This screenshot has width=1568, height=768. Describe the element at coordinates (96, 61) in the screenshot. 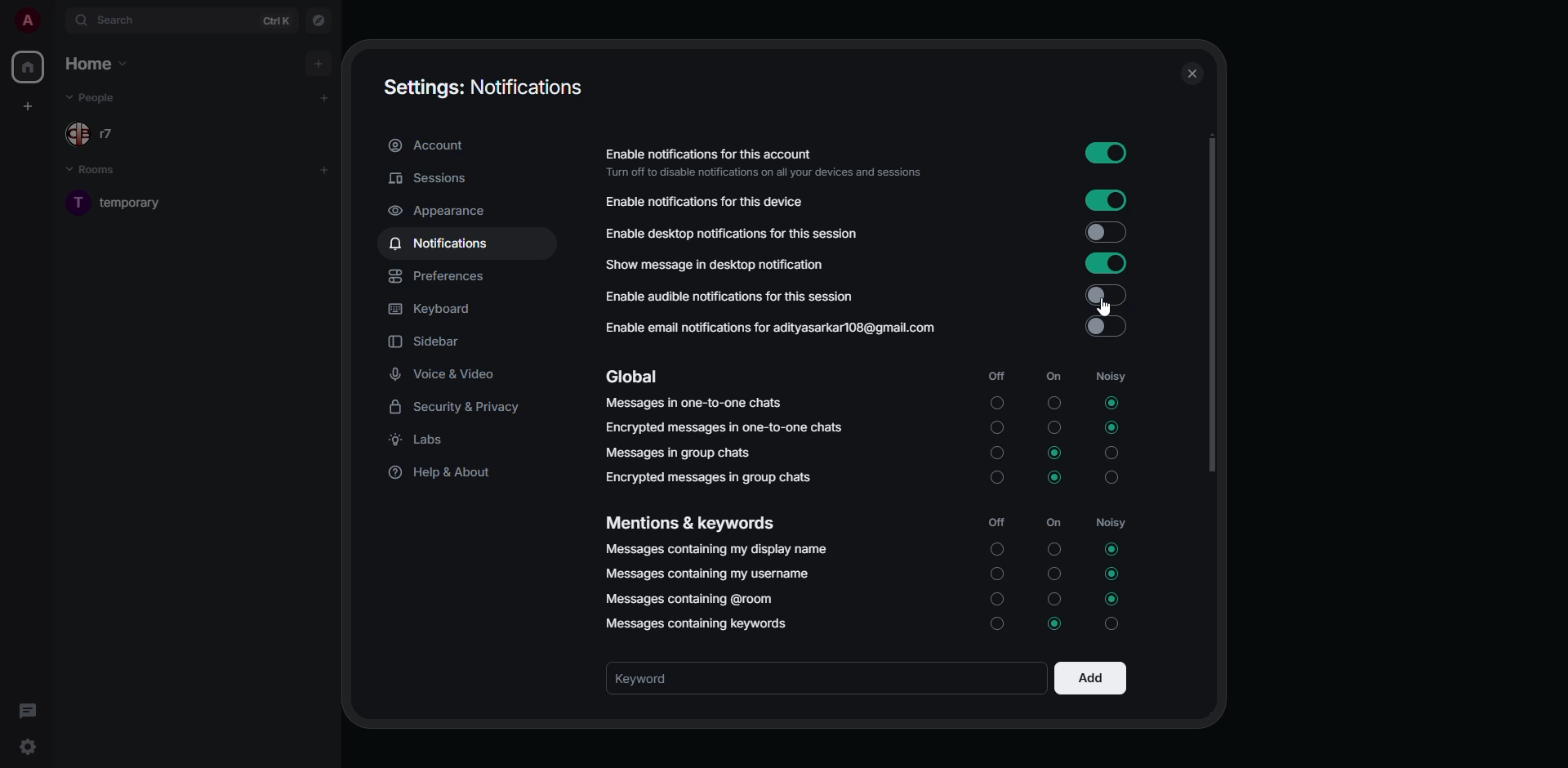

I see `home` at that location.